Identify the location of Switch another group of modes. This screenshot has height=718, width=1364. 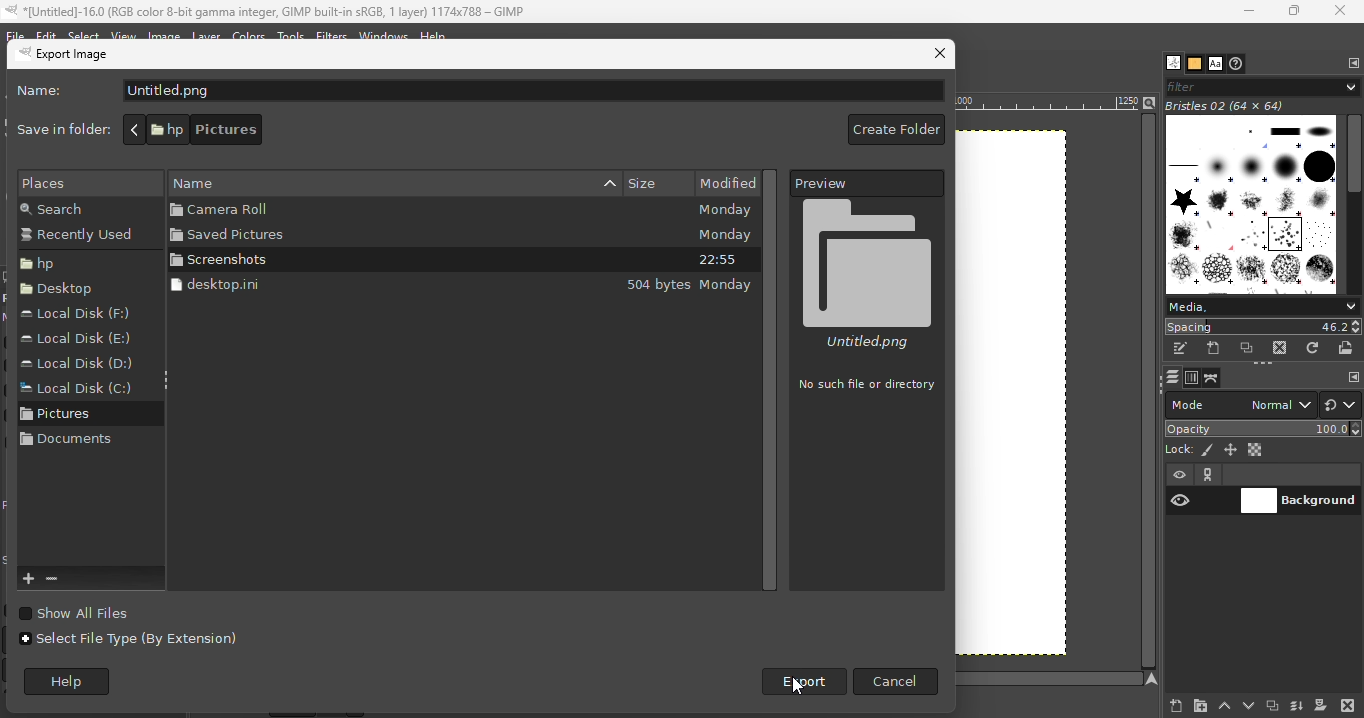
(1342, 404).